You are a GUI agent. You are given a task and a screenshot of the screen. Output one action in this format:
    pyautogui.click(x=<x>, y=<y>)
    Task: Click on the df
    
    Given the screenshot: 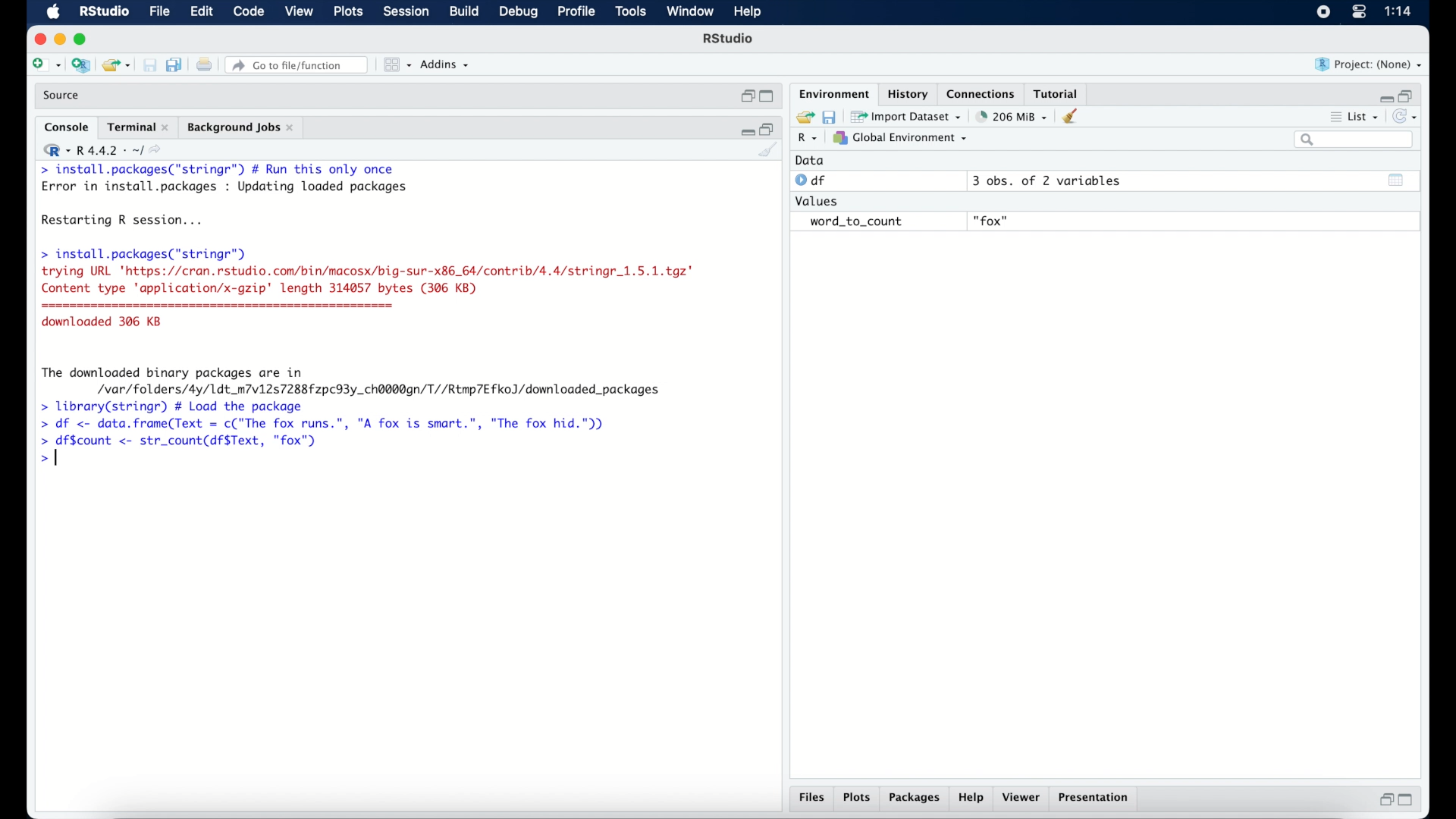 What is the action you would take?
    pyautogui.click(x=813, y=180)
    